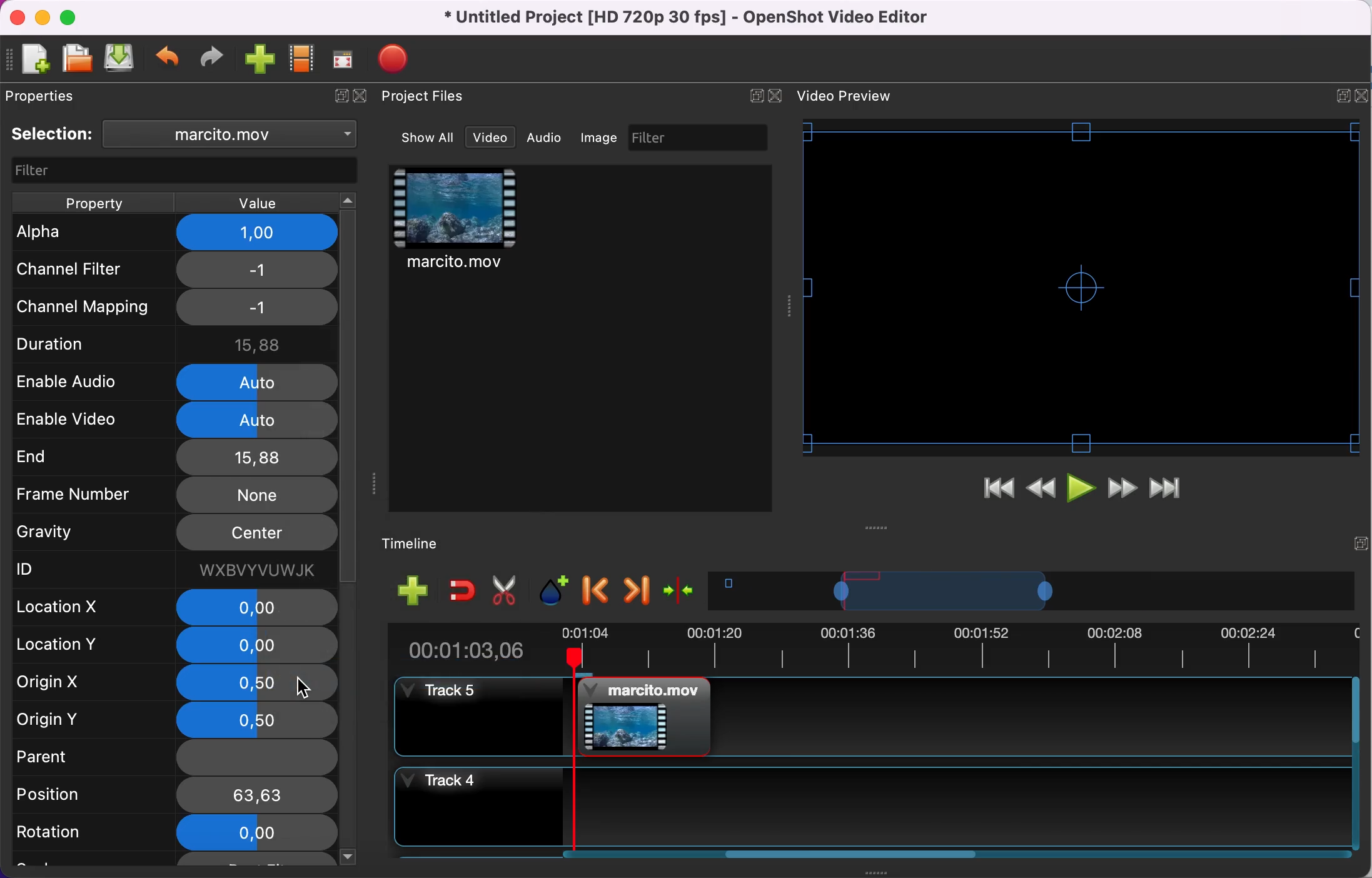 This screenshot has width=1372, height=878. I want to click on gravity center, so click(176, 533).